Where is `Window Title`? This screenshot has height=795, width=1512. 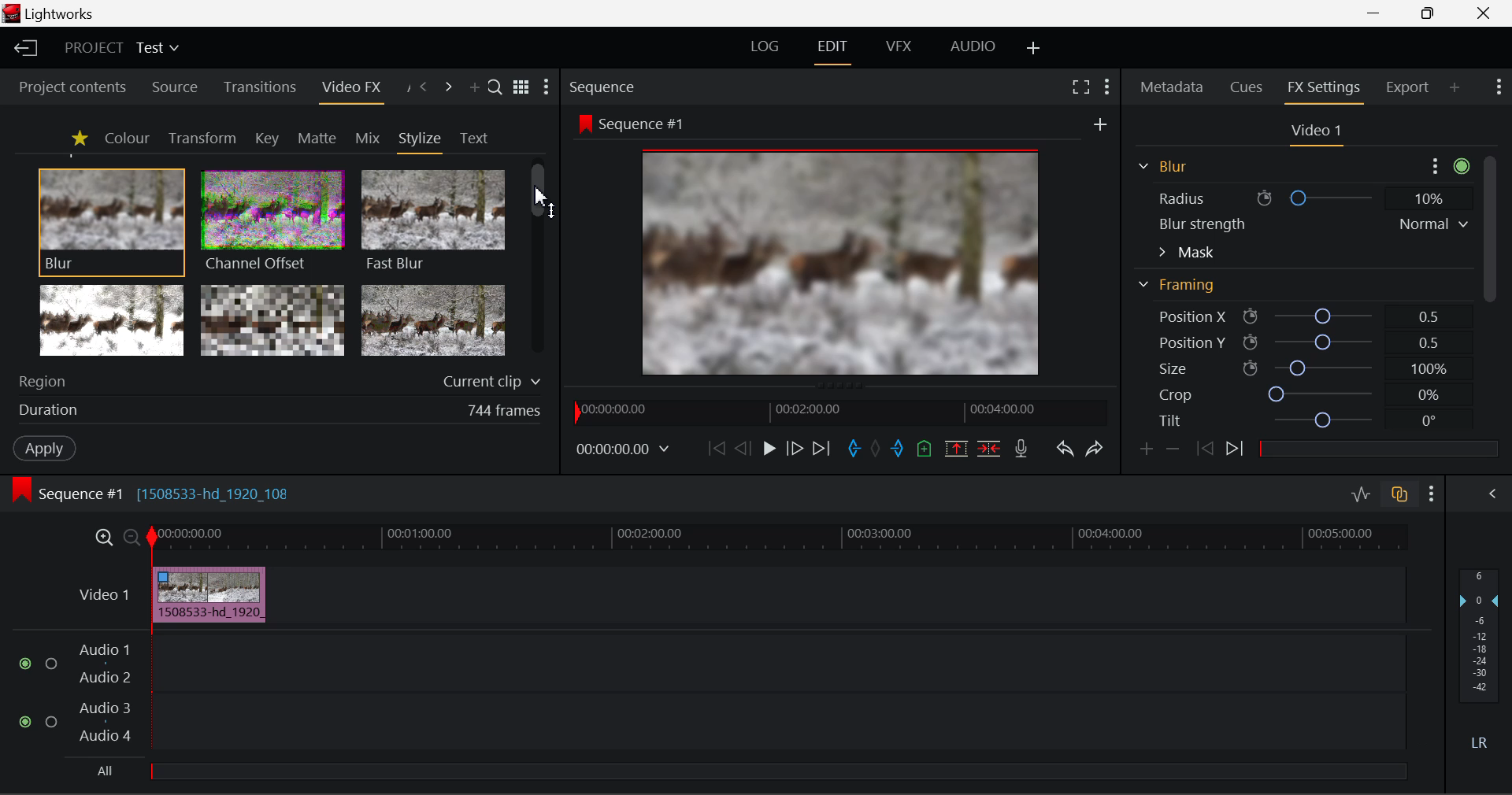 Window Title is located at coordinates (54, 14).